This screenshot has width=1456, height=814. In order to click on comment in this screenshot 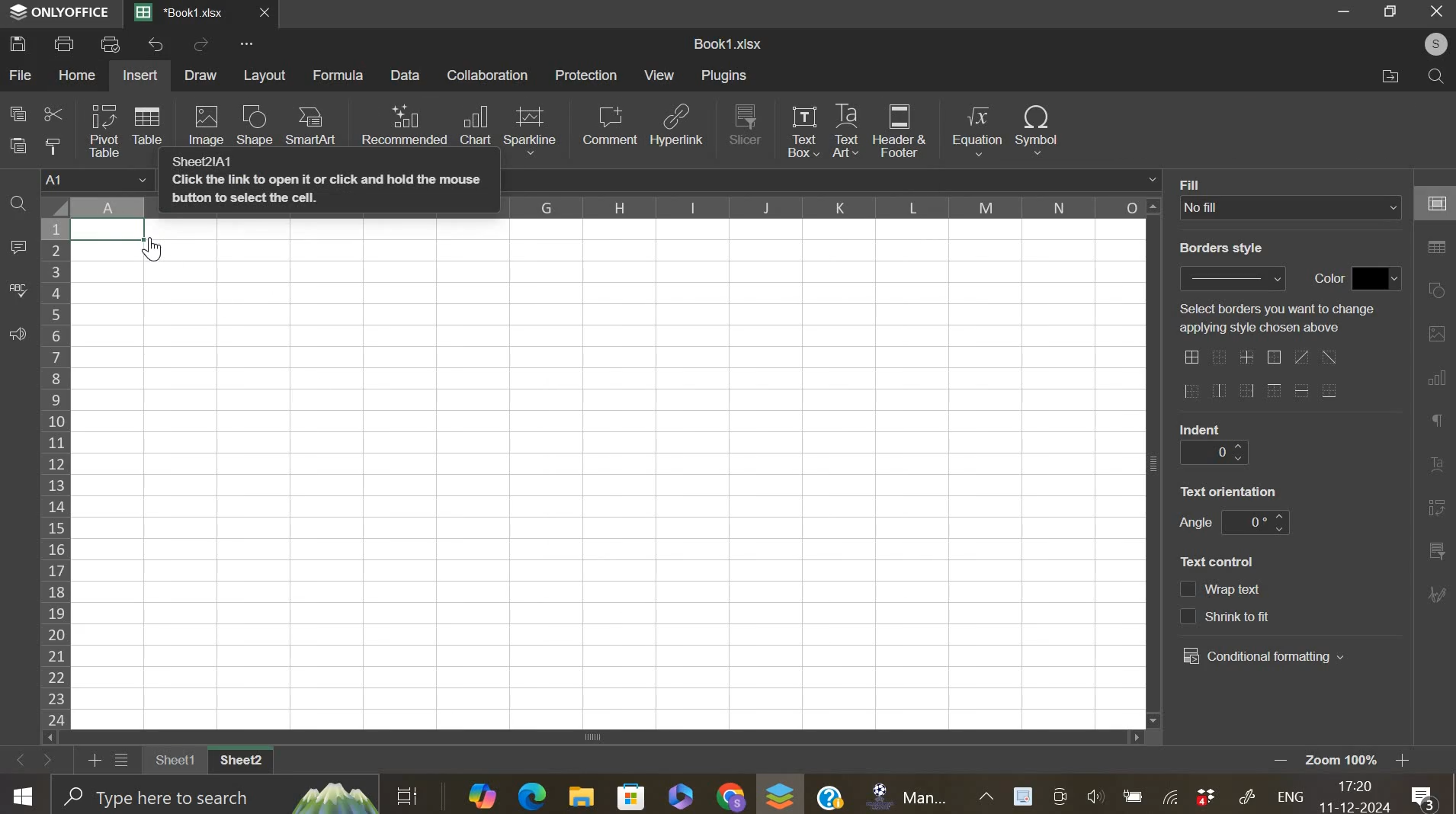, I will do `click(18, 248)`.